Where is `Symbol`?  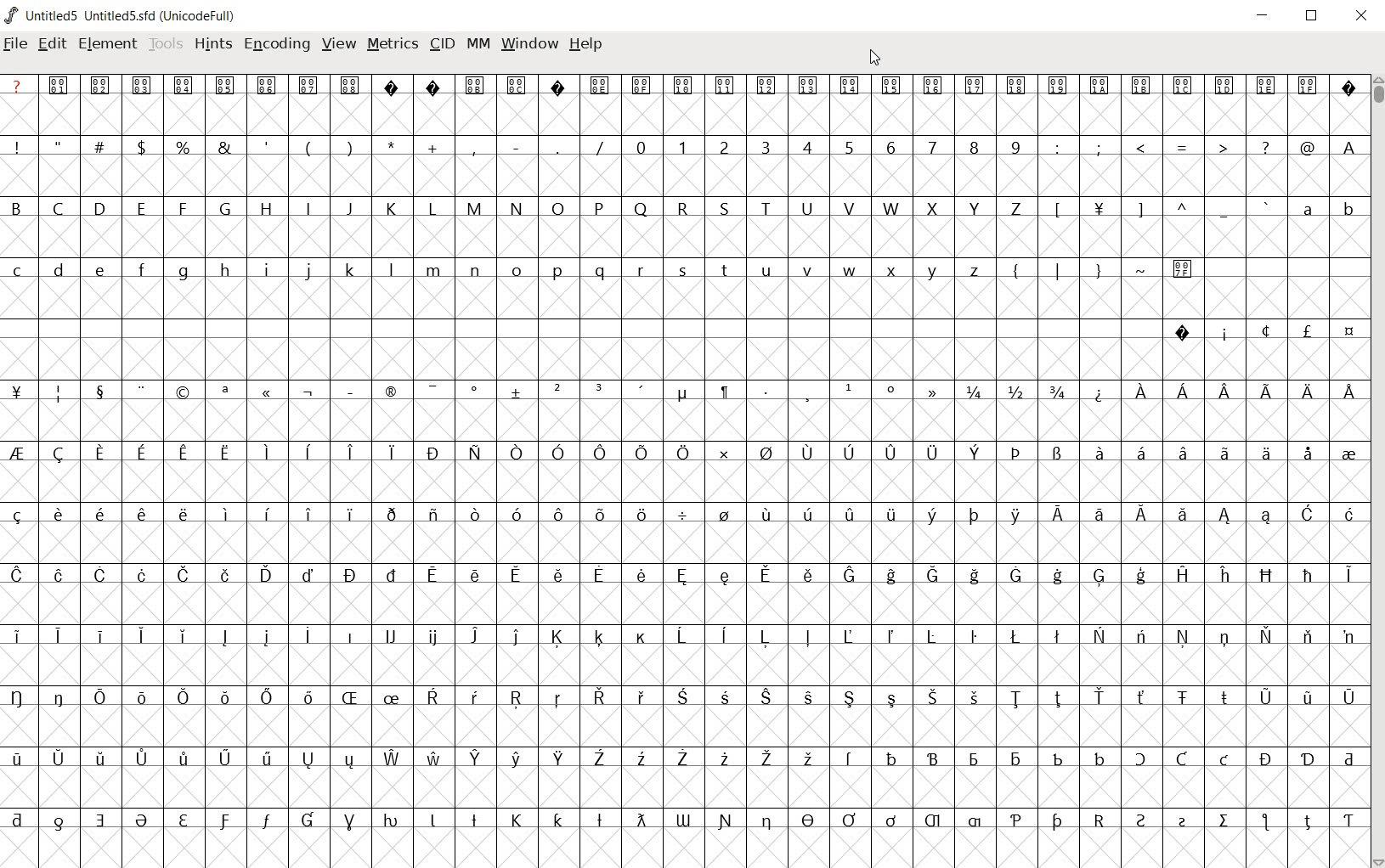
Symbol is located at coordinates (766, 822).